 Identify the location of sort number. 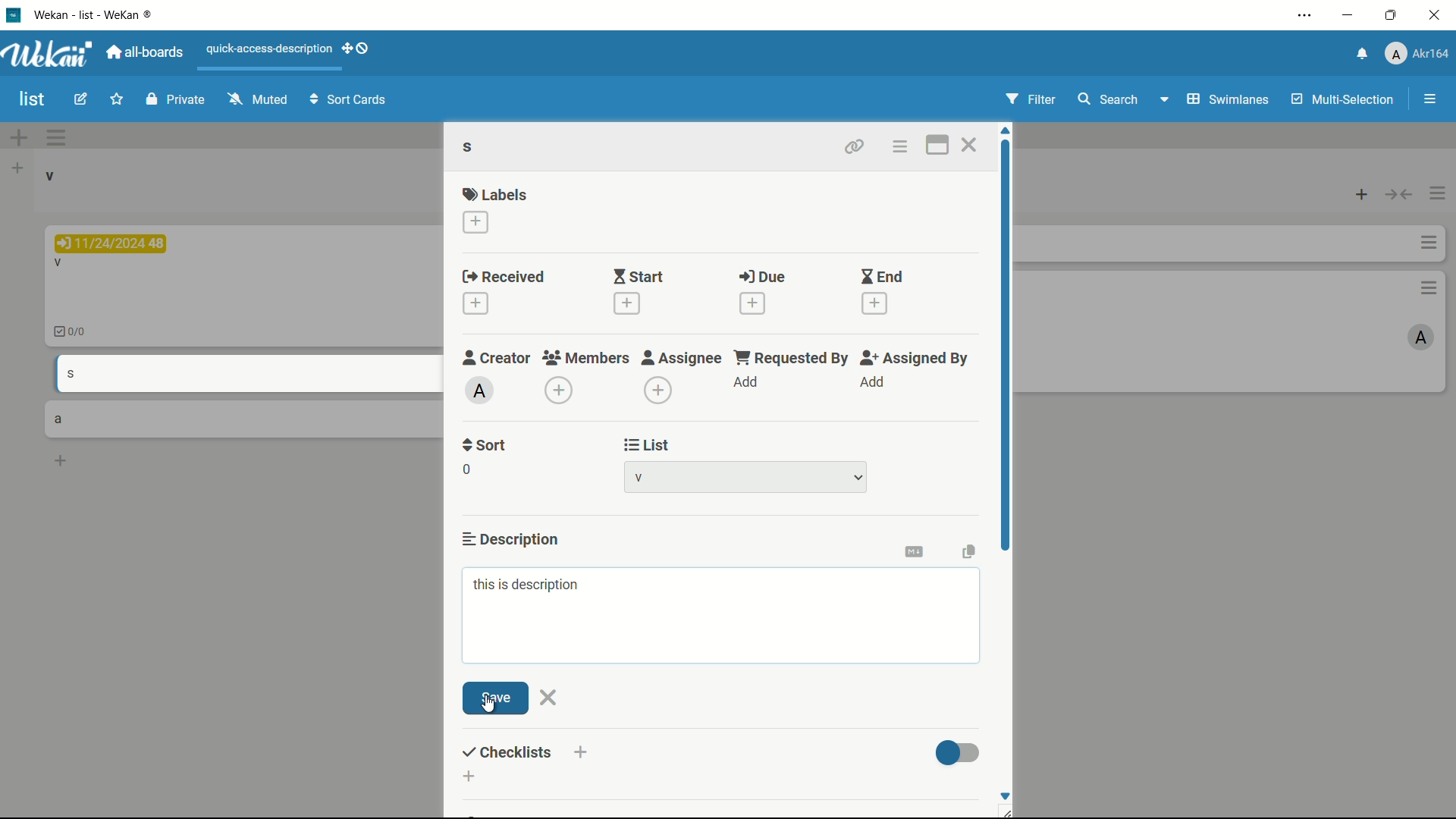
(466, 469).